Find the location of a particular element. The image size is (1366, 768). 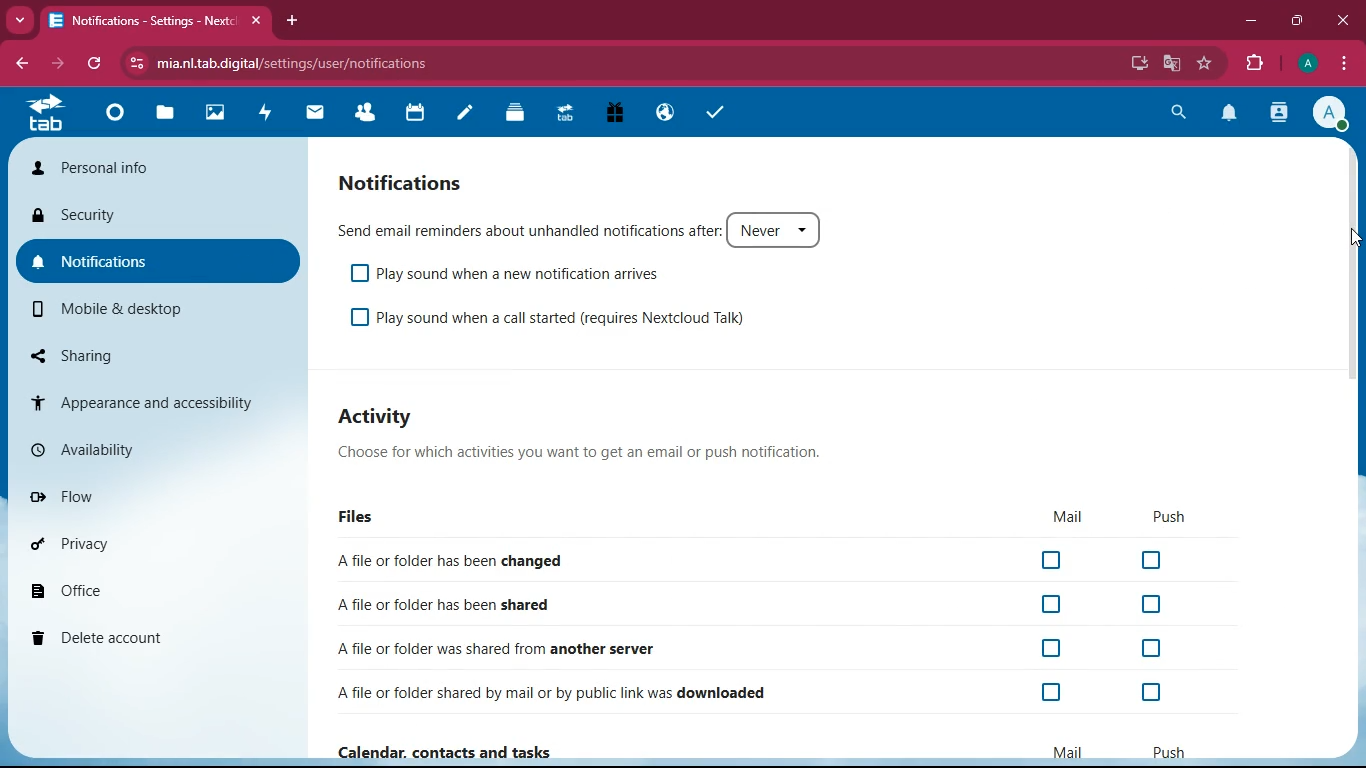

files is located at coordinates (362, 521).